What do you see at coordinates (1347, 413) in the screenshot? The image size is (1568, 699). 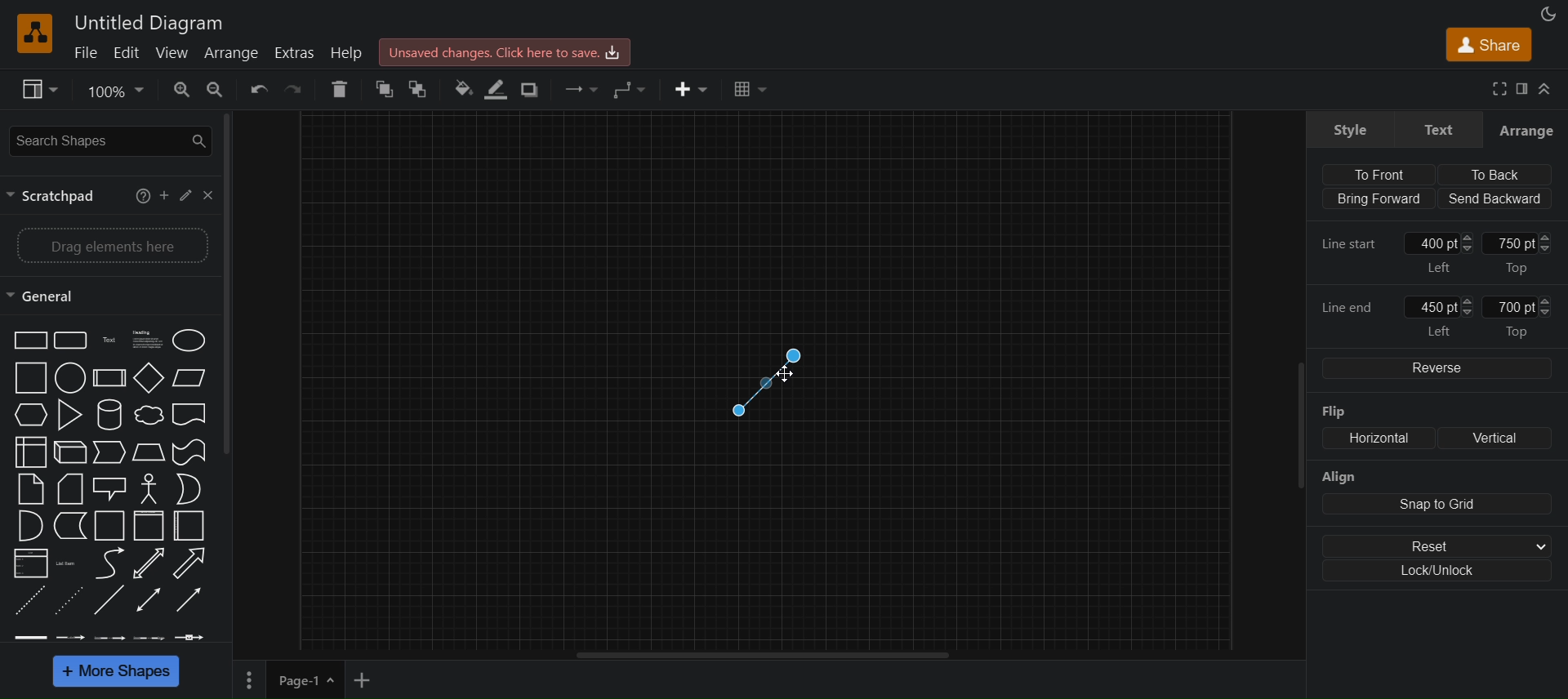 I see `flip` at bounding box center [1347, 413].